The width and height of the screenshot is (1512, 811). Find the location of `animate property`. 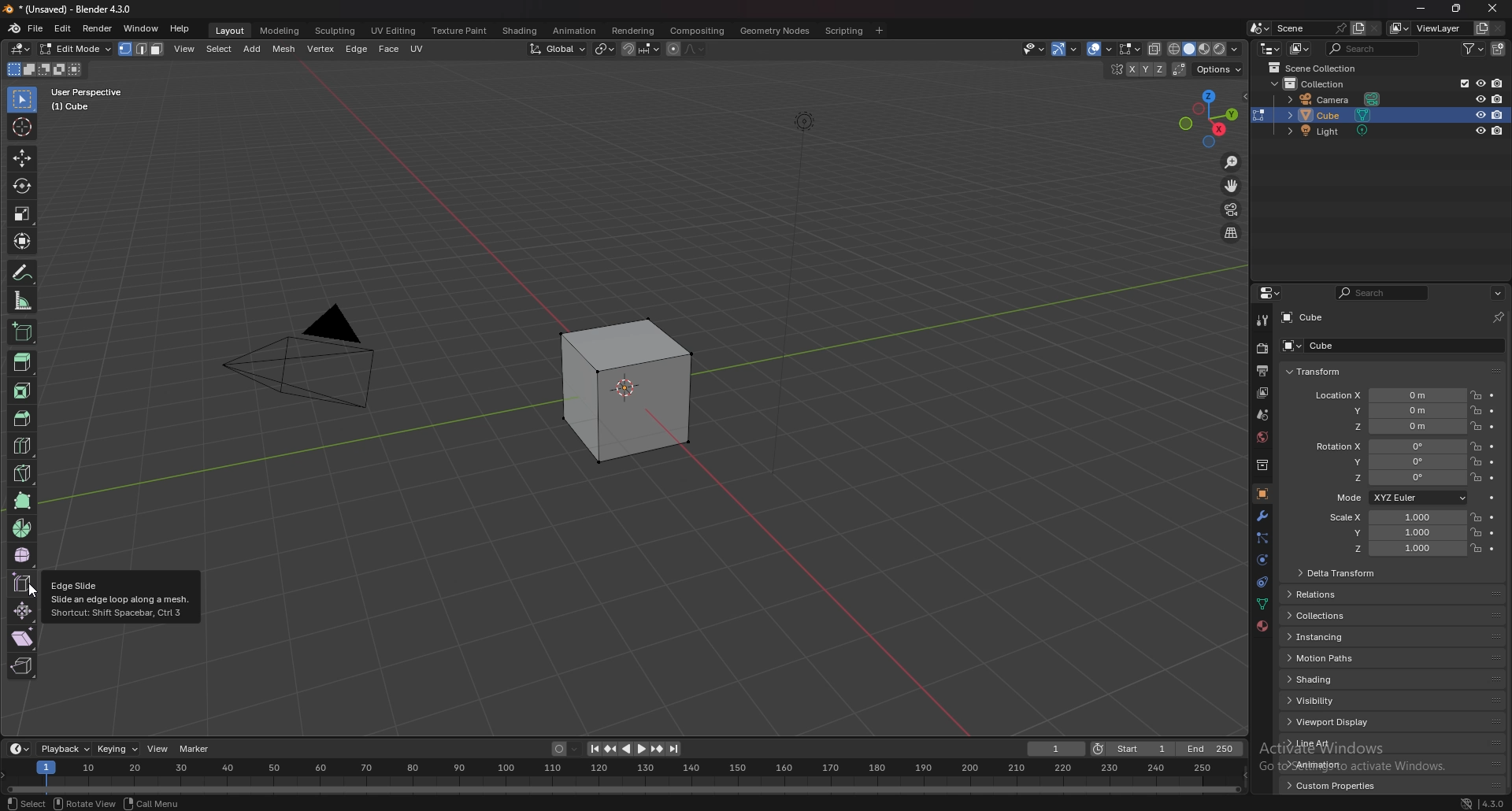

animate property is located at coordinates (1491, 497).